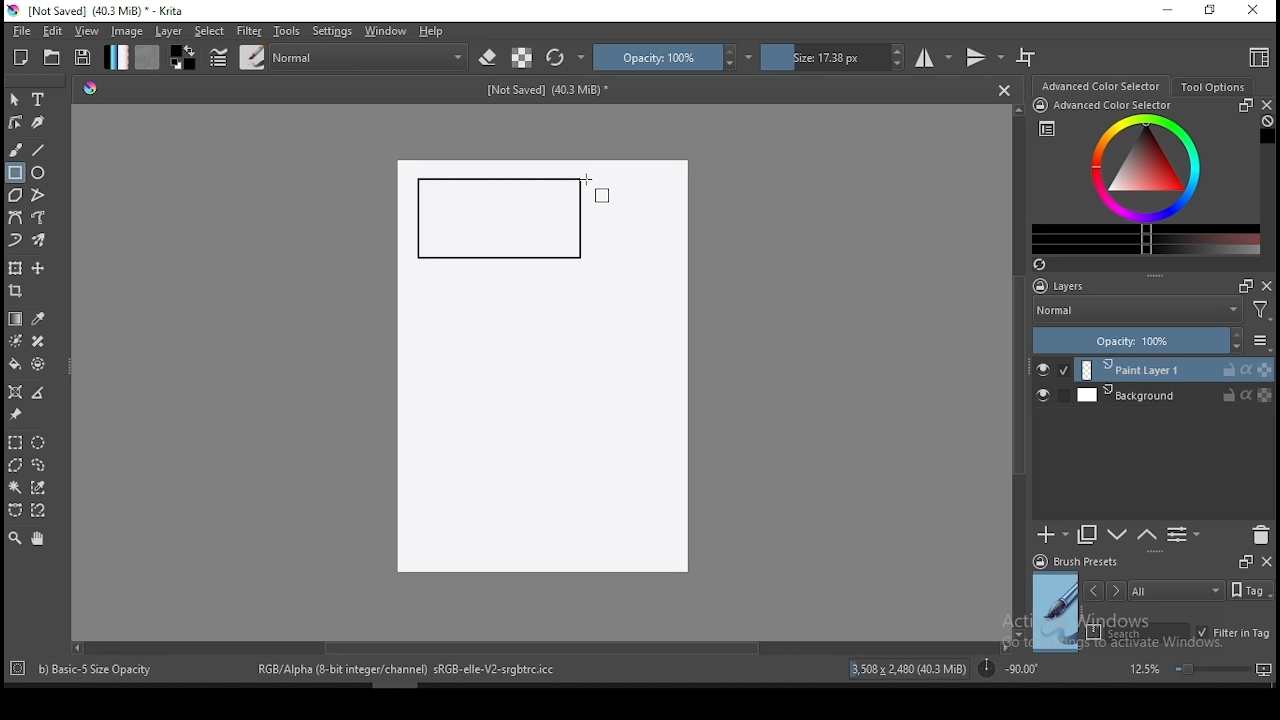 The width and height of the screenshot is (1280, 720). What do you see at coordinates (15, 173) in the screenshot?
I see `rectangle tool` at bounding box center [15, 173].